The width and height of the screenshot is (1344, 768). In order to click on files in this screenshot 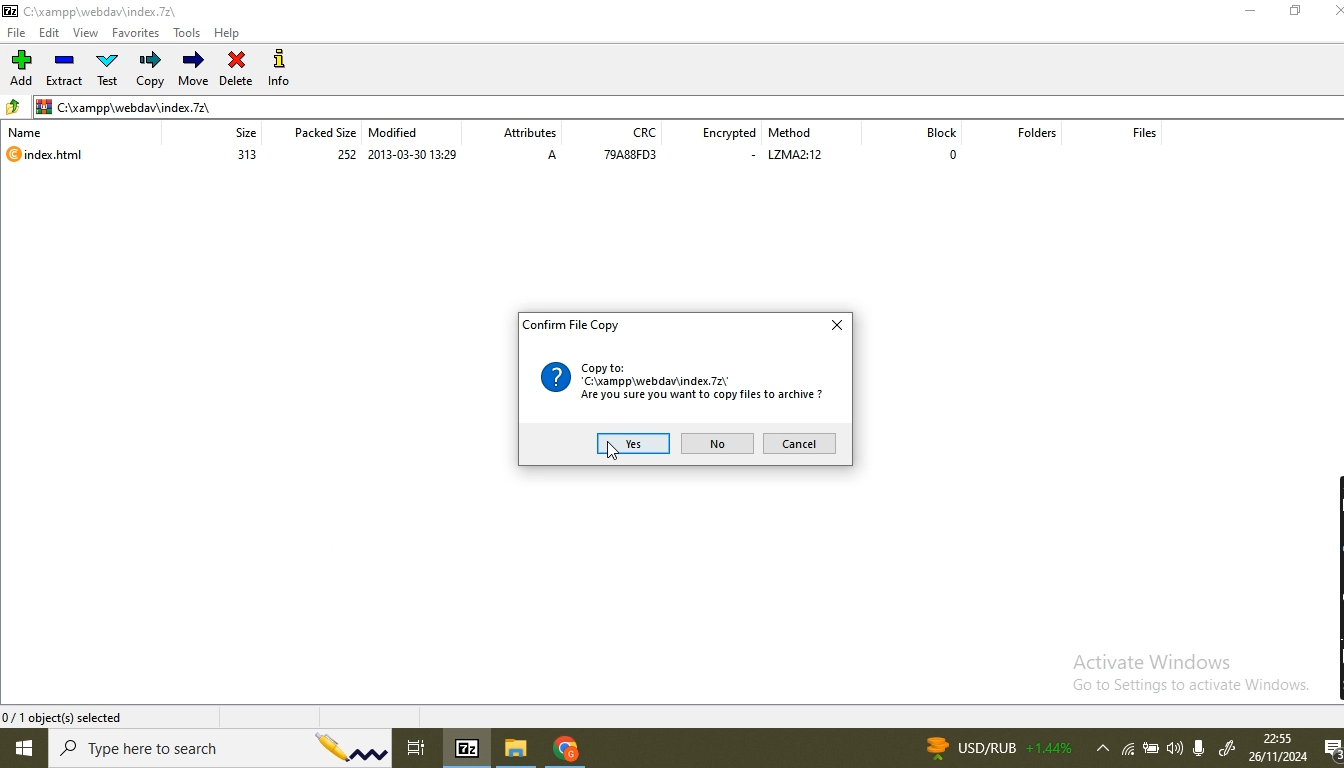, I will do `click(1149, 134)`.